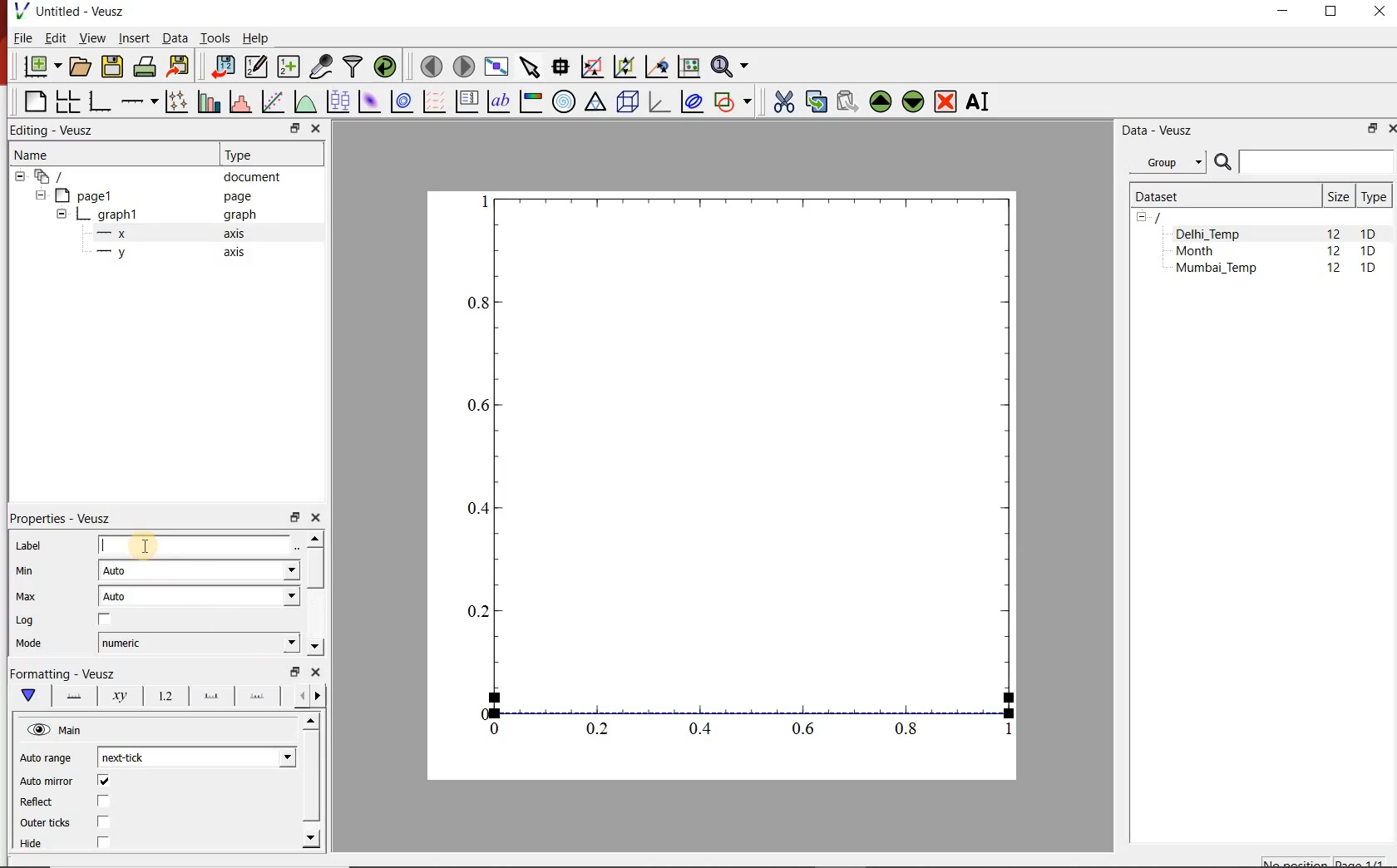 This screenshot has width=1397, height=868. Describe the element at coordinates (272, 101) in the screenshot. I see `fit a function to data` at that location.